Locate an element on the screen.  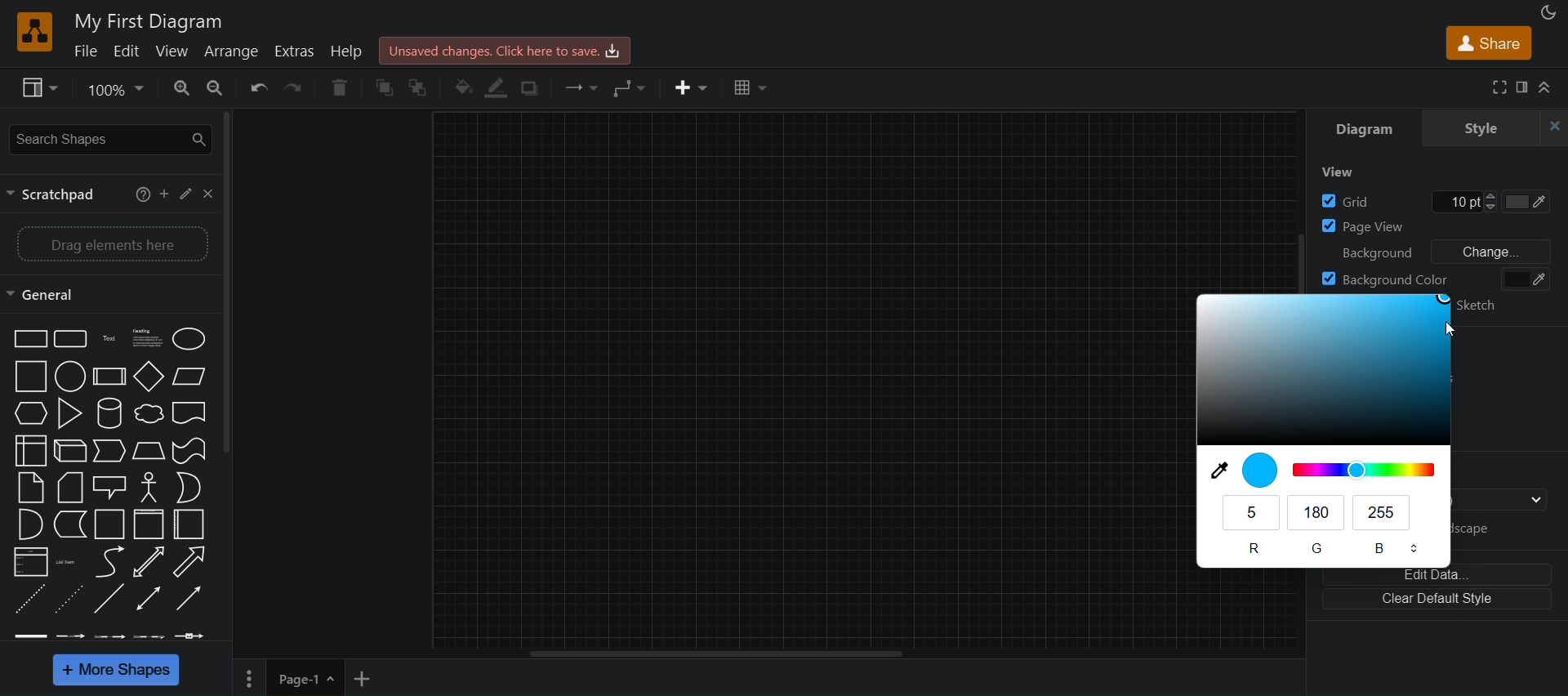
arrange is located at coordinates (236, 53).